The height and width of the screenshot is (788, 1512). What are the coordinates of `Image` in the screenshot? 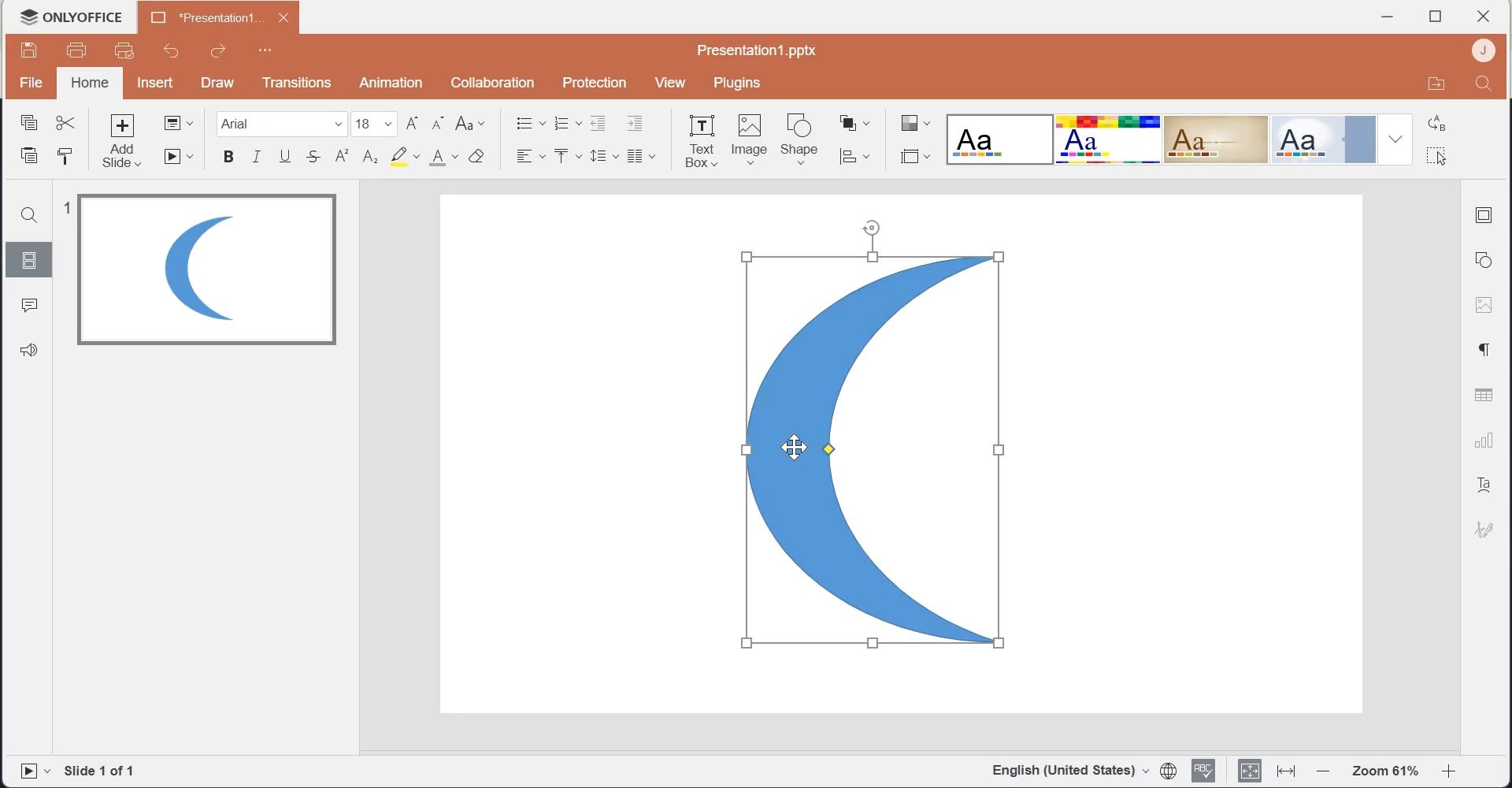 It's located at (750, 138).